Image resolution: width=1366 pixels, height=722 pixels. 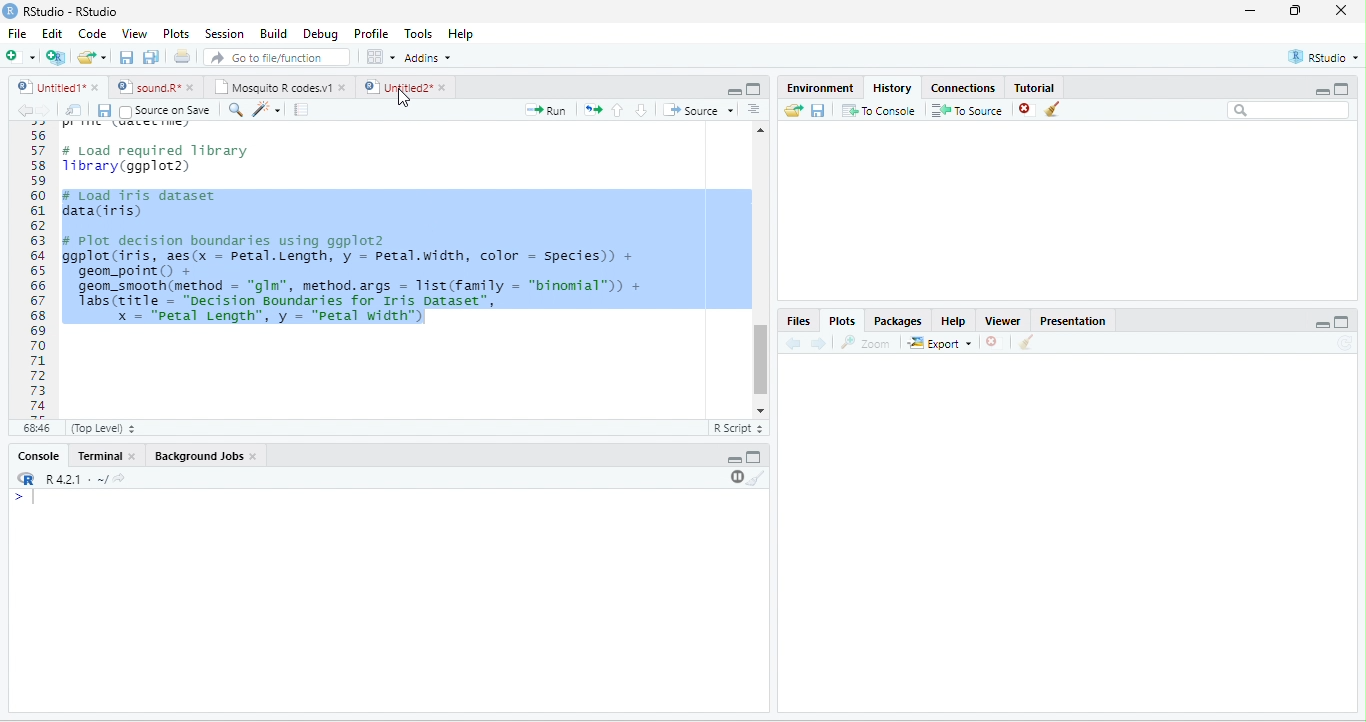 What do you see at coordinates (49, 87) in the screenshot?
I see `Untitled` at bounding box center [49, 87].